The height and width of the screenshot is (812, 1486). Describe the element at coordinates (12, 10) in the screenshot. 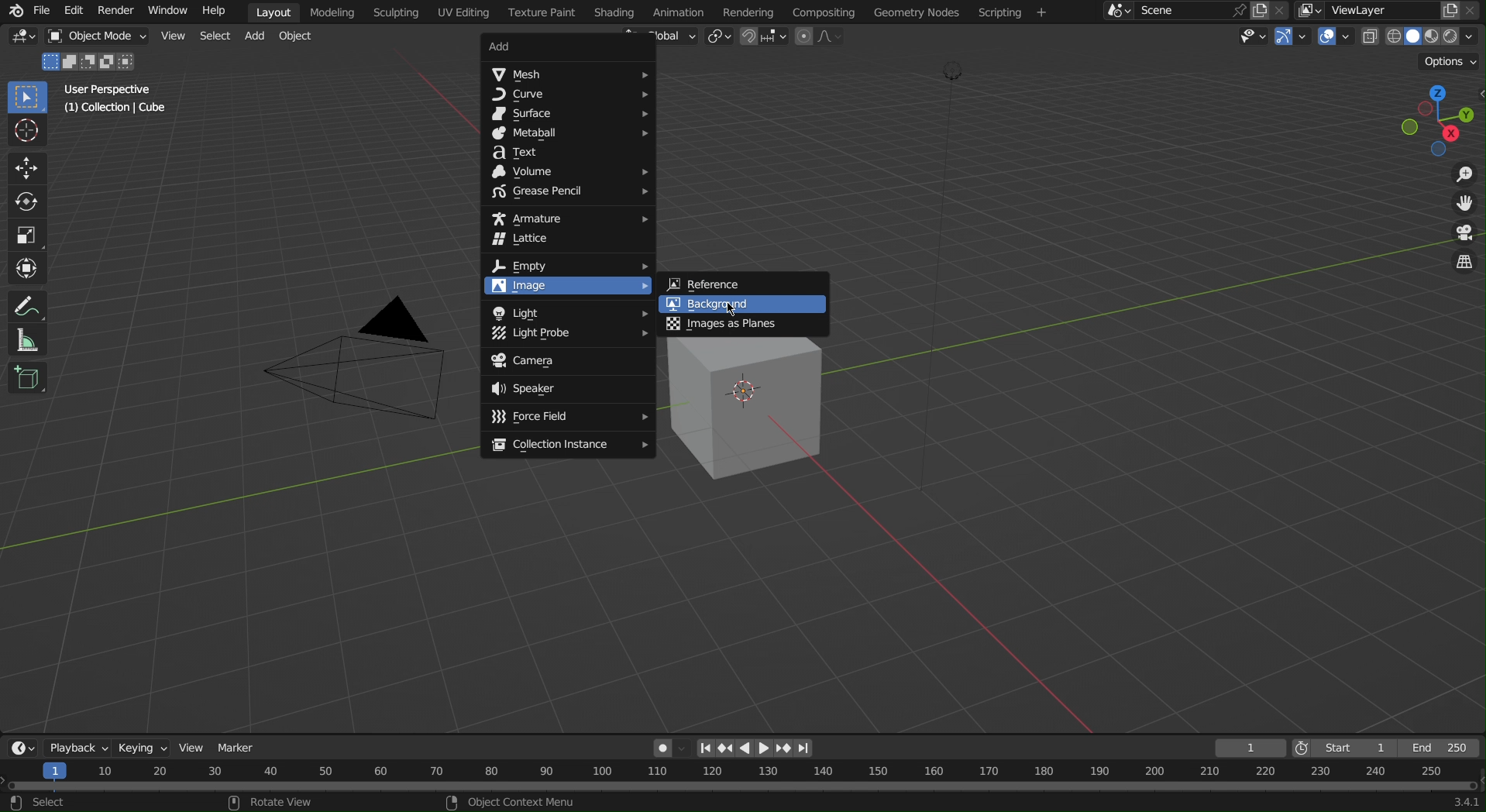

I see `Blender` at that location.